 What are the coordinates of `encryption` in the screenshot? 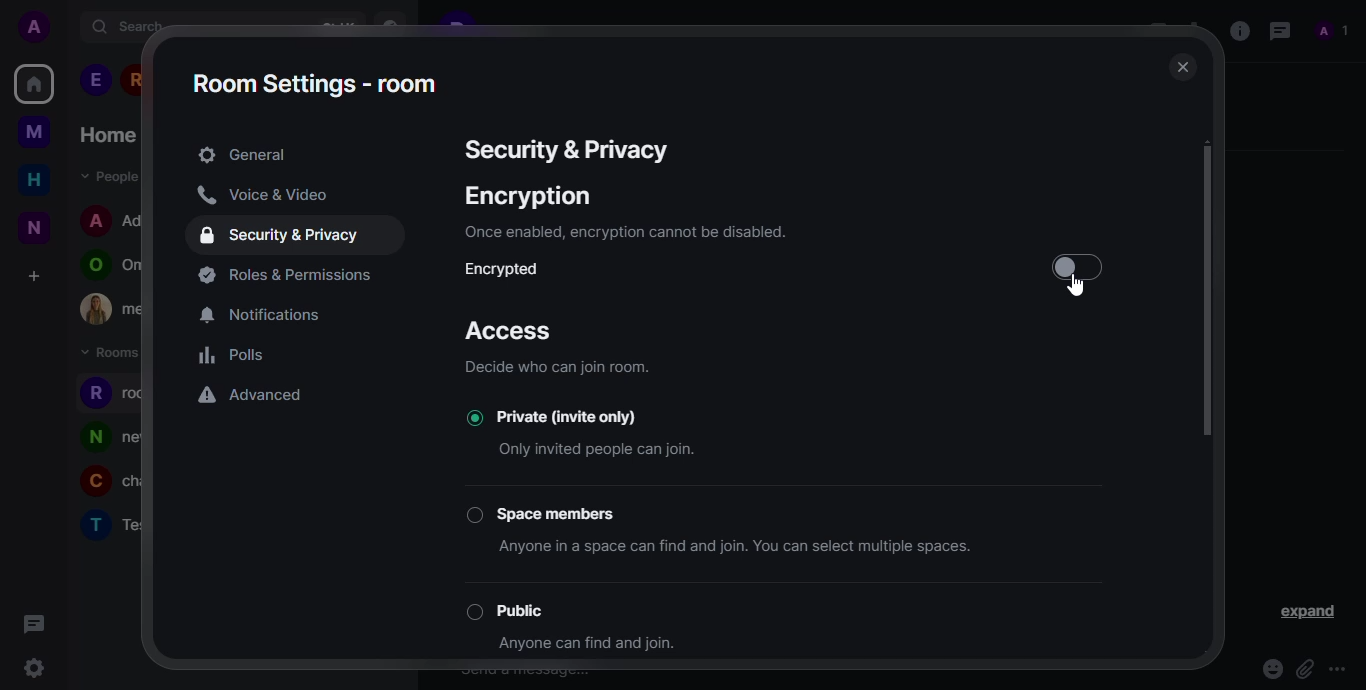 It's located at (535, 196).